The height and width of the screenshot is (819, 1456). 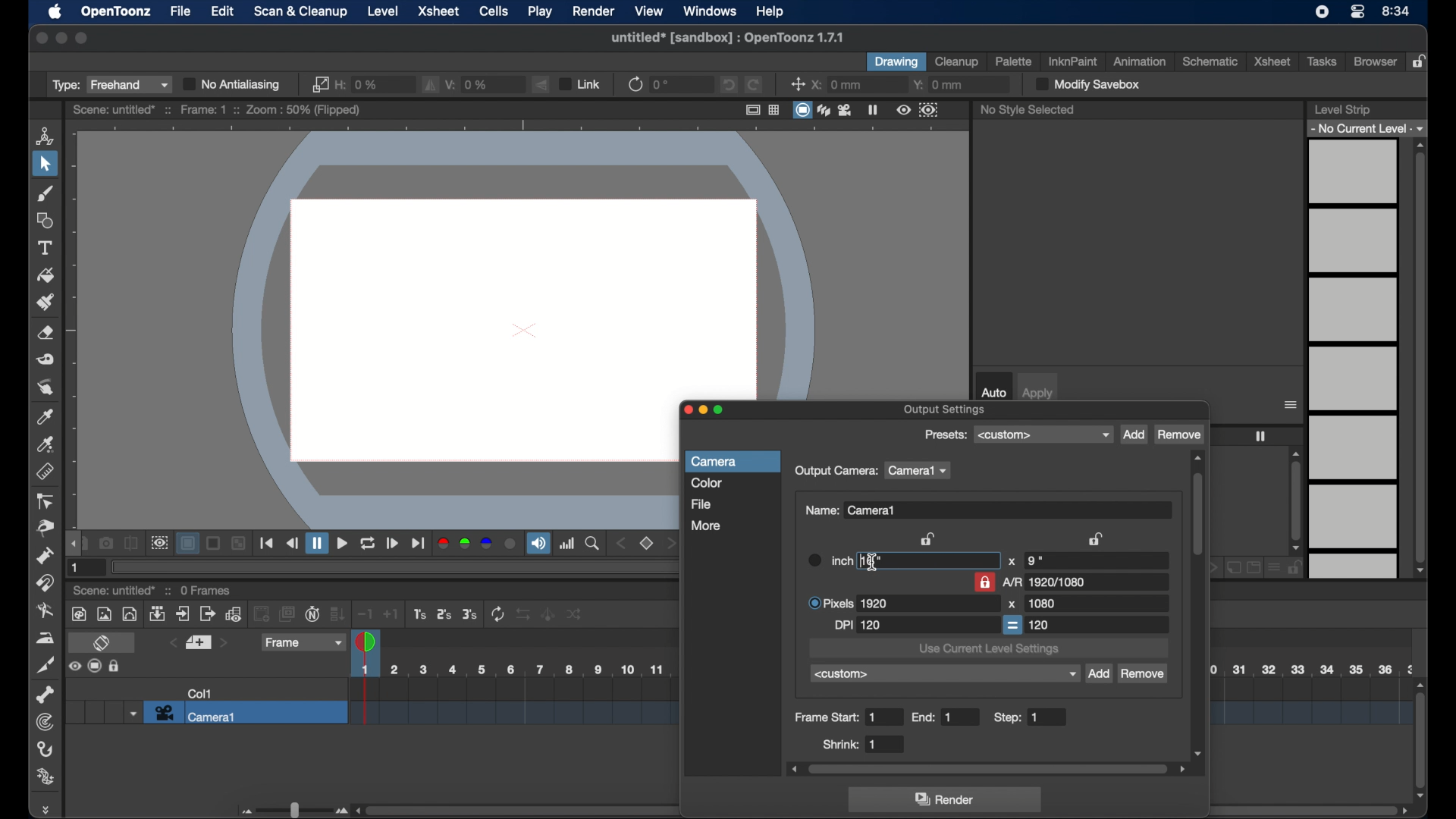 What do you see at coordinates (289, 614) in the screenshot?
I see `` at bounding box center [289, 614].